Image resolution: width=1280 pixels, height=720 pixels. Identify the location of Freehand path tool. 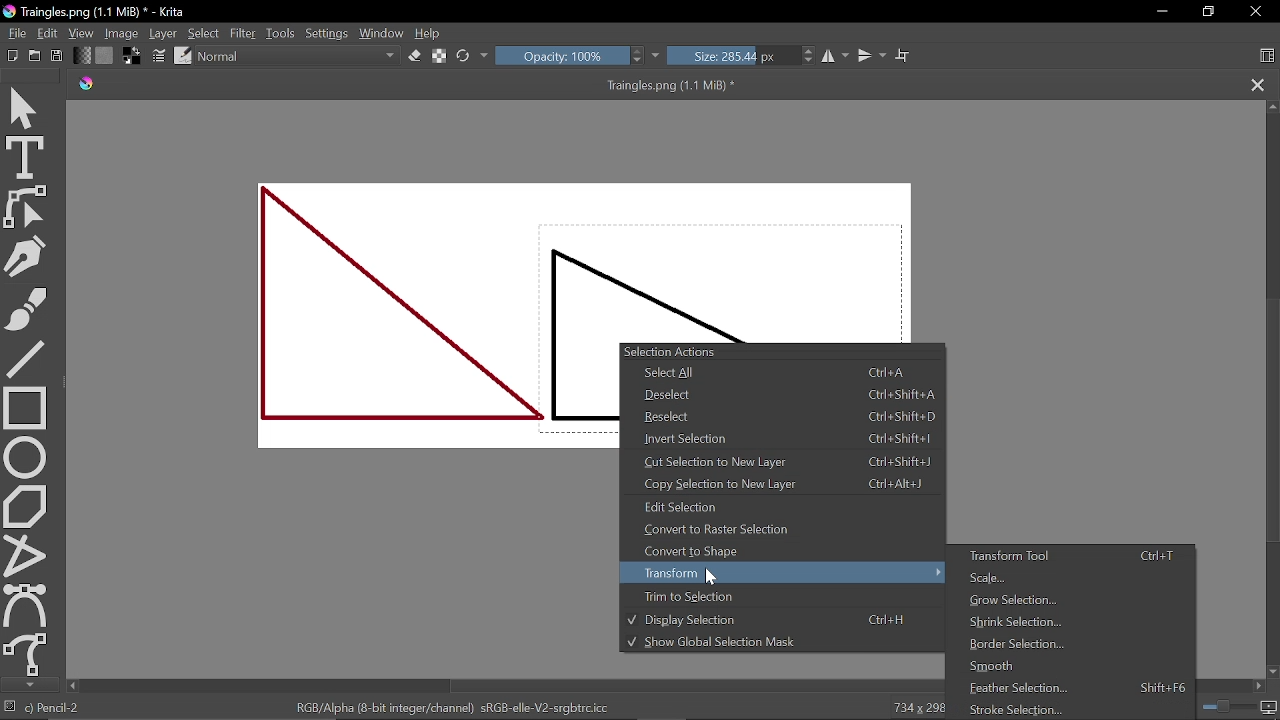
(25, 653).